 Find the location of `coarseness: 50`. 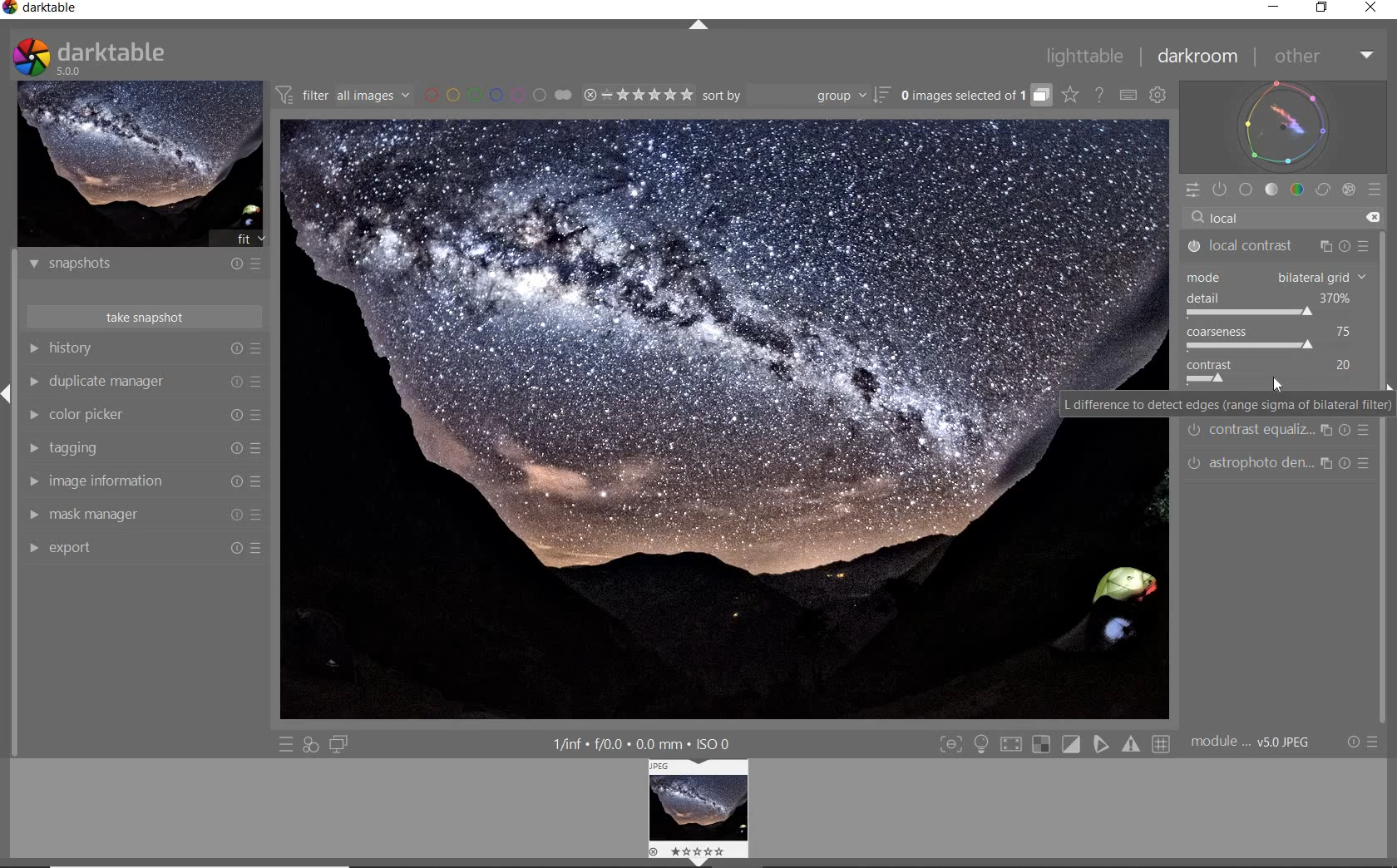

coarseness: 50 is located at coordinates (1267, 332).